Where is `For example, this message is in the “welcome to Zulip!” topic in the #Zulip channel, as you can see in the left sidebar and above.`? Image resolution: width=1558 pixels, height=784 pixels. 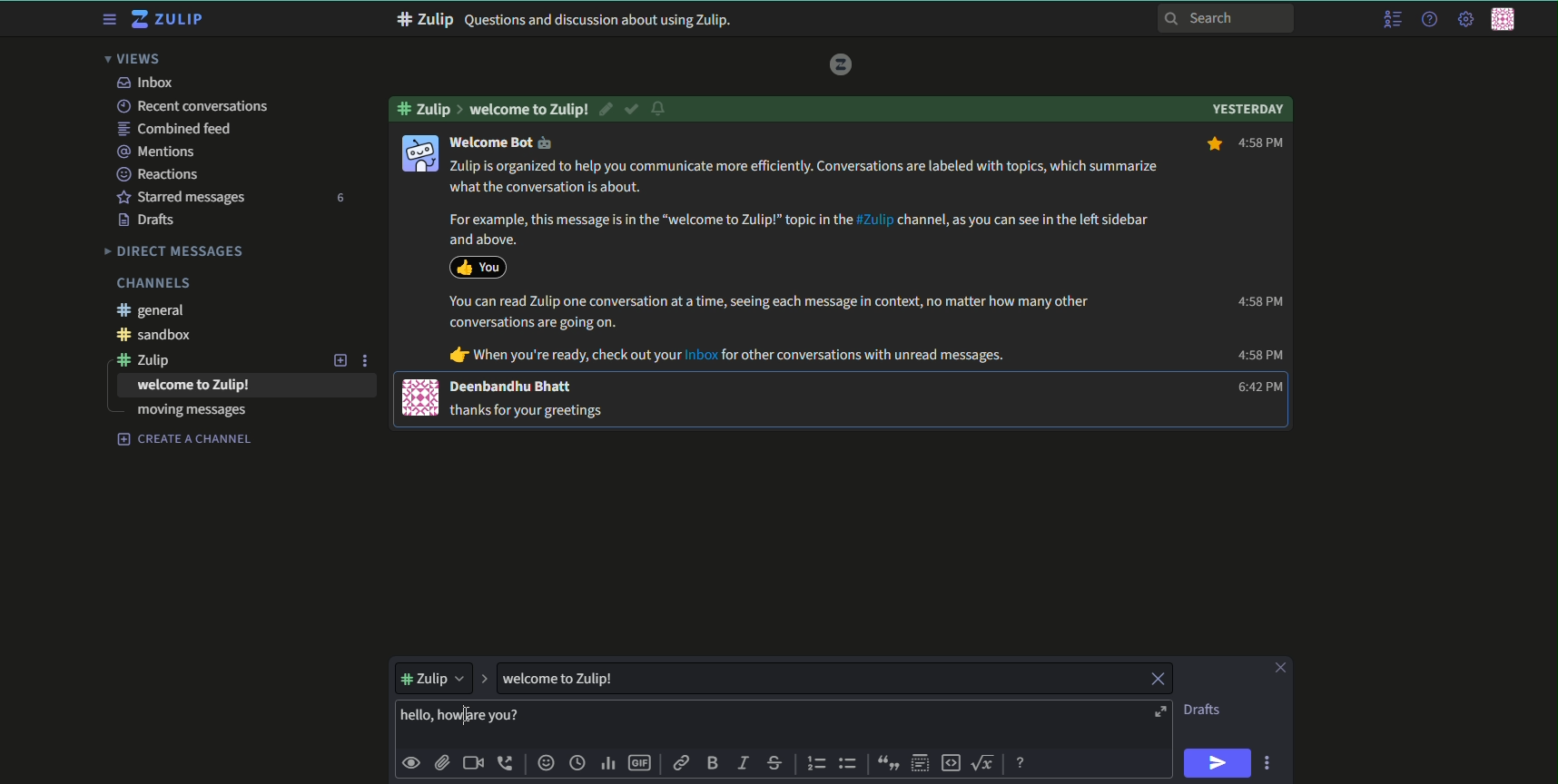
For example, this message is in the “welcome to Zulip!” topic in the #Zulip channel, as you can see in the left sidebar and above. is located at coordinates (794, 229).